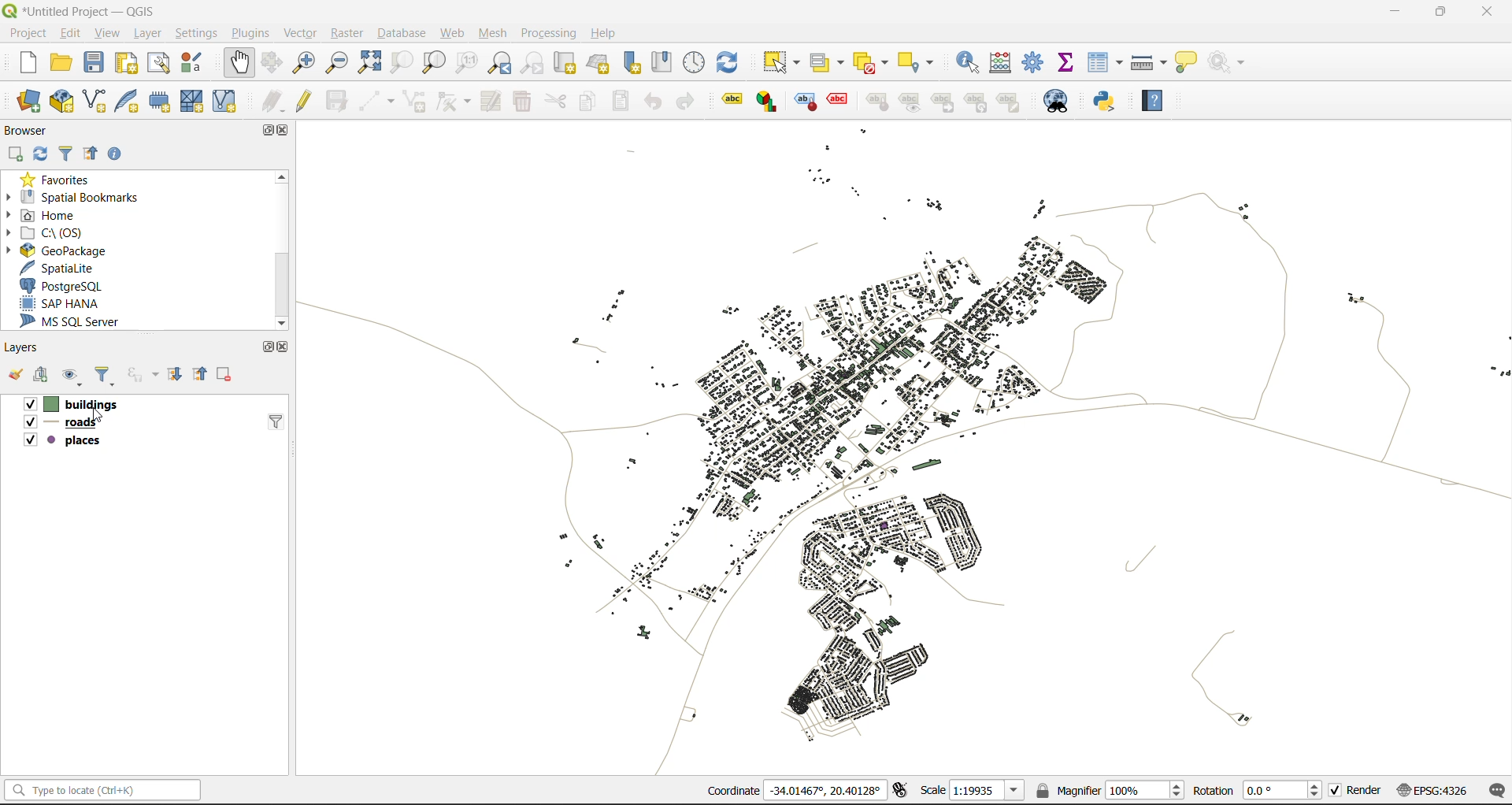  Describe the element at coordinates (66, 287) in the screenshot. I see `postgresql` at that location.